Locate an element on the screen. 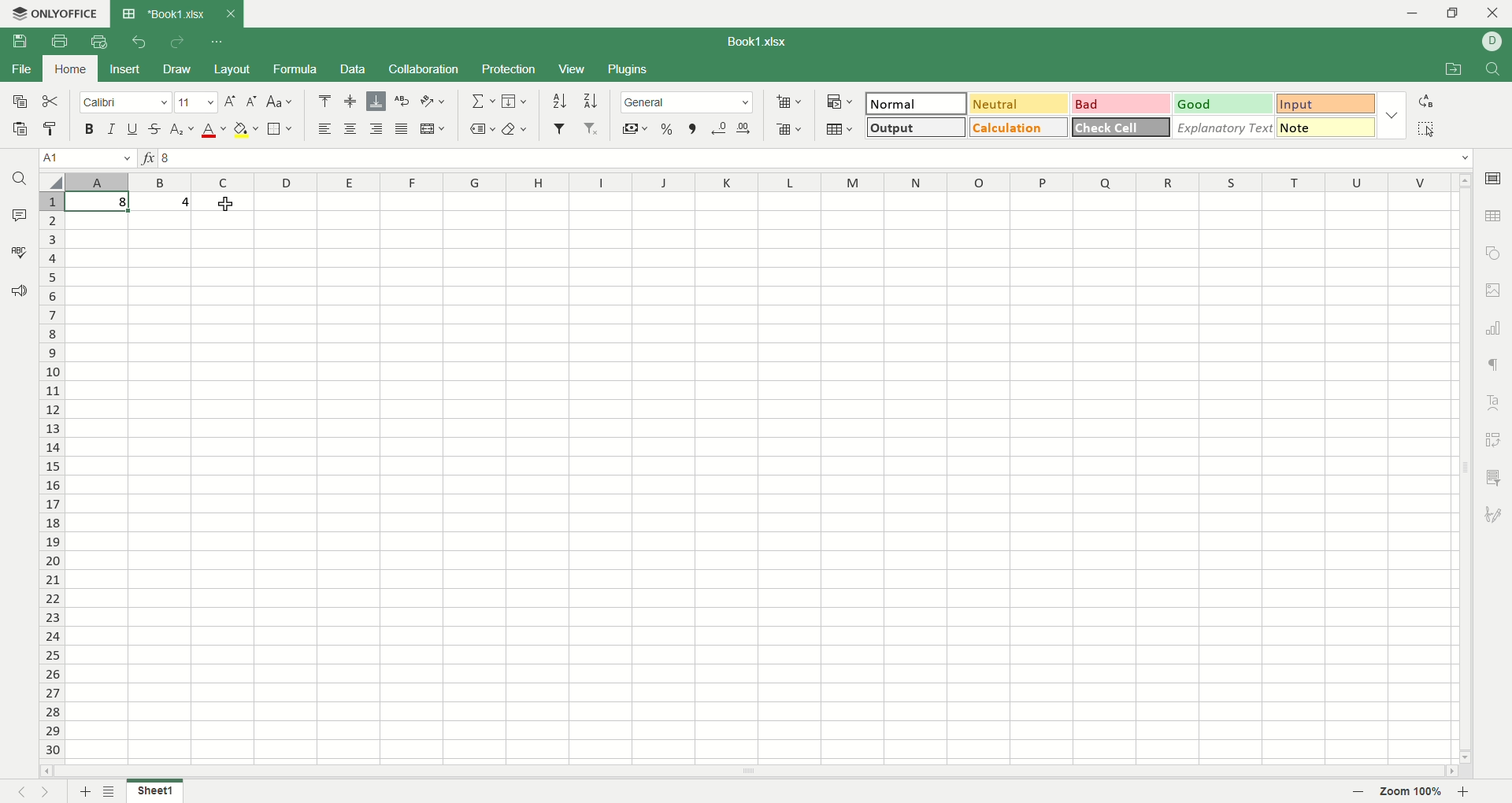 Image resolution: width=1512 pixels, height=803 pixels. signature settings is located at coordinates (1494, 513).